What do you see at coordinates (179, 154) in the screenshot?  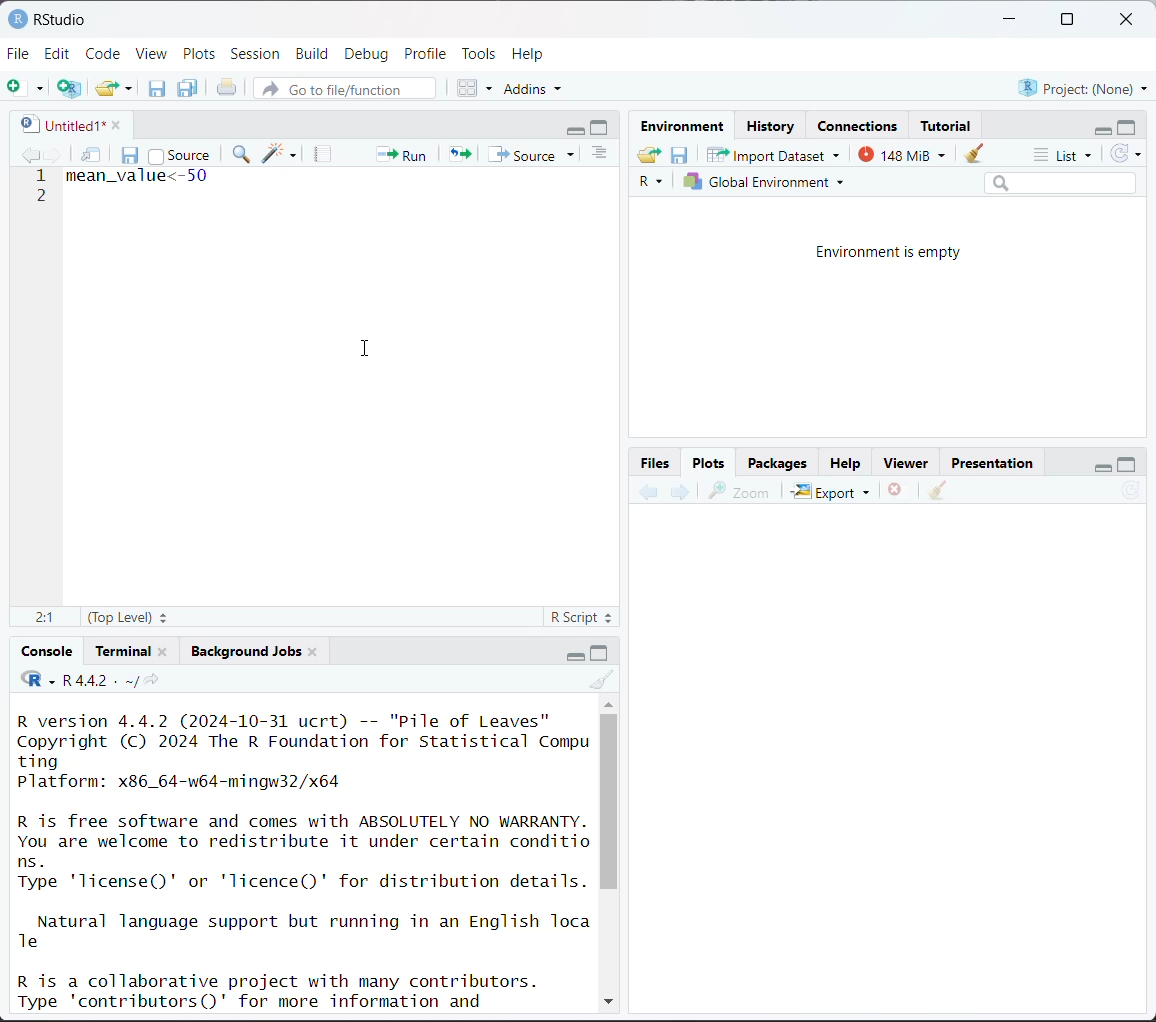 I see `source` at bounding box center [179, 154].